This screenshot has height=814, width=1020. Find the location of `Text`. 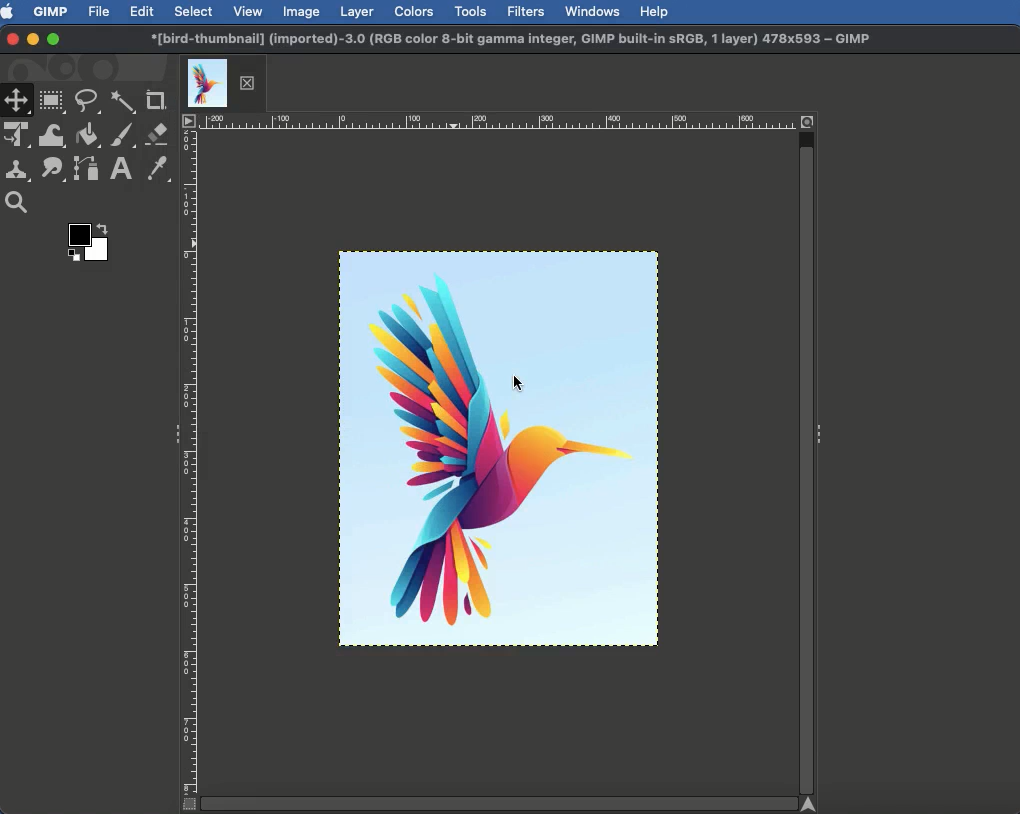

Text is located at coordinates (118, 170).